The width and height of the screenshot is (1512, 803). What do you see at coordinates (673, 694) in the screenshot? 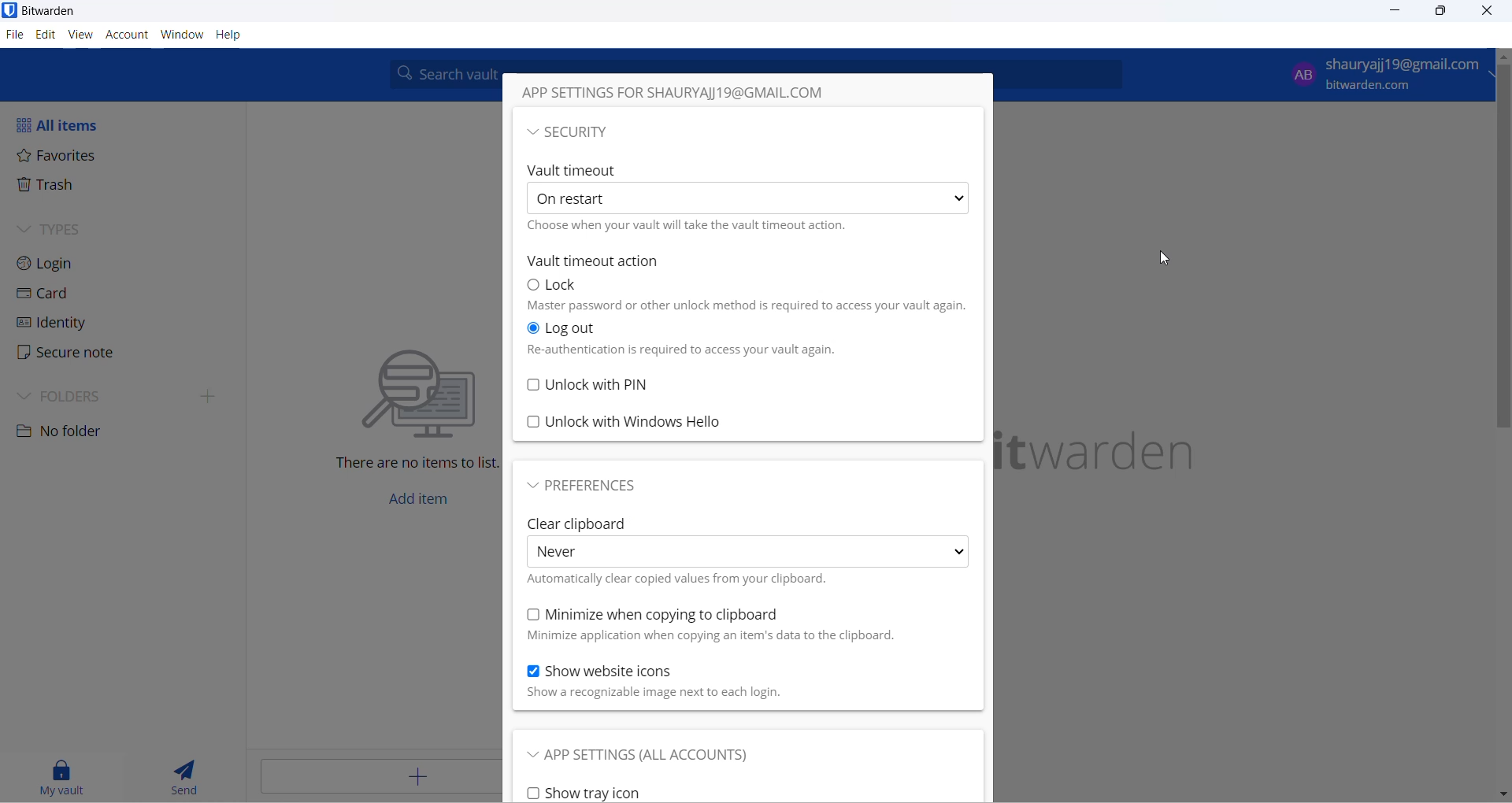
I see `text` at bounding box center [673, 694].